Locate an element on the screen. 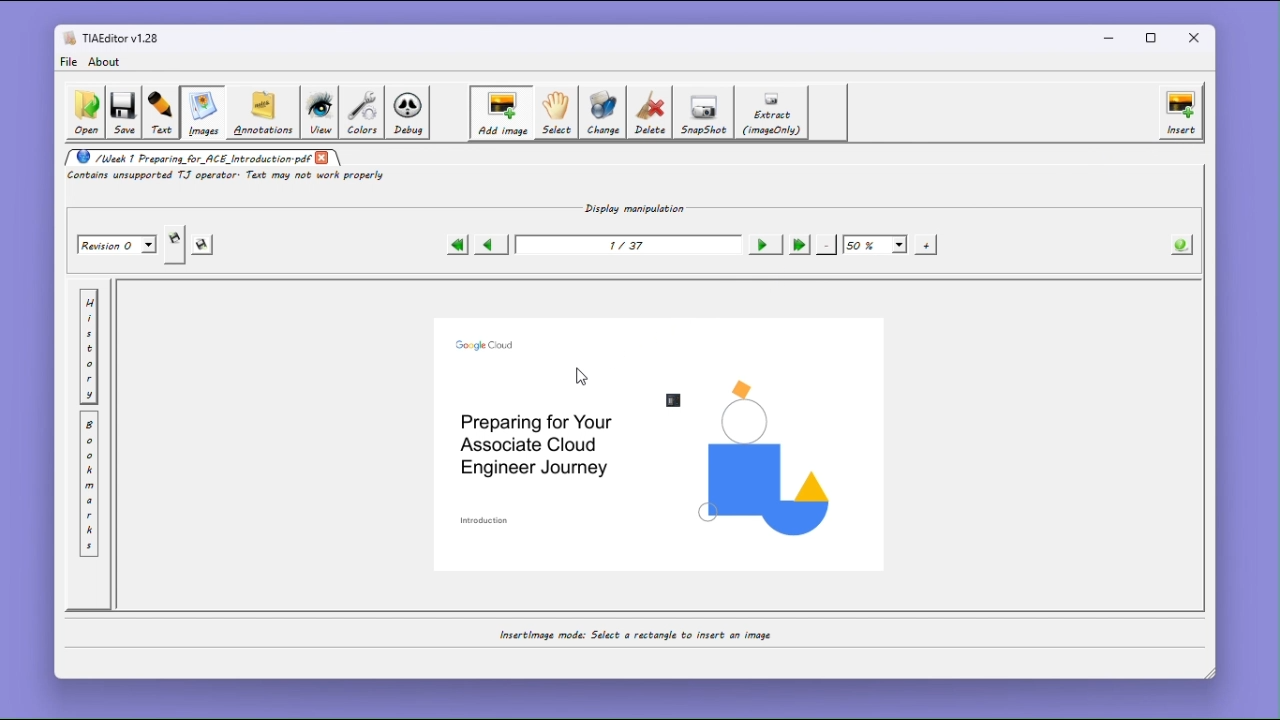  Contains unsupported TJ operator. Text may not work properly is located at coordinates (229, 177).